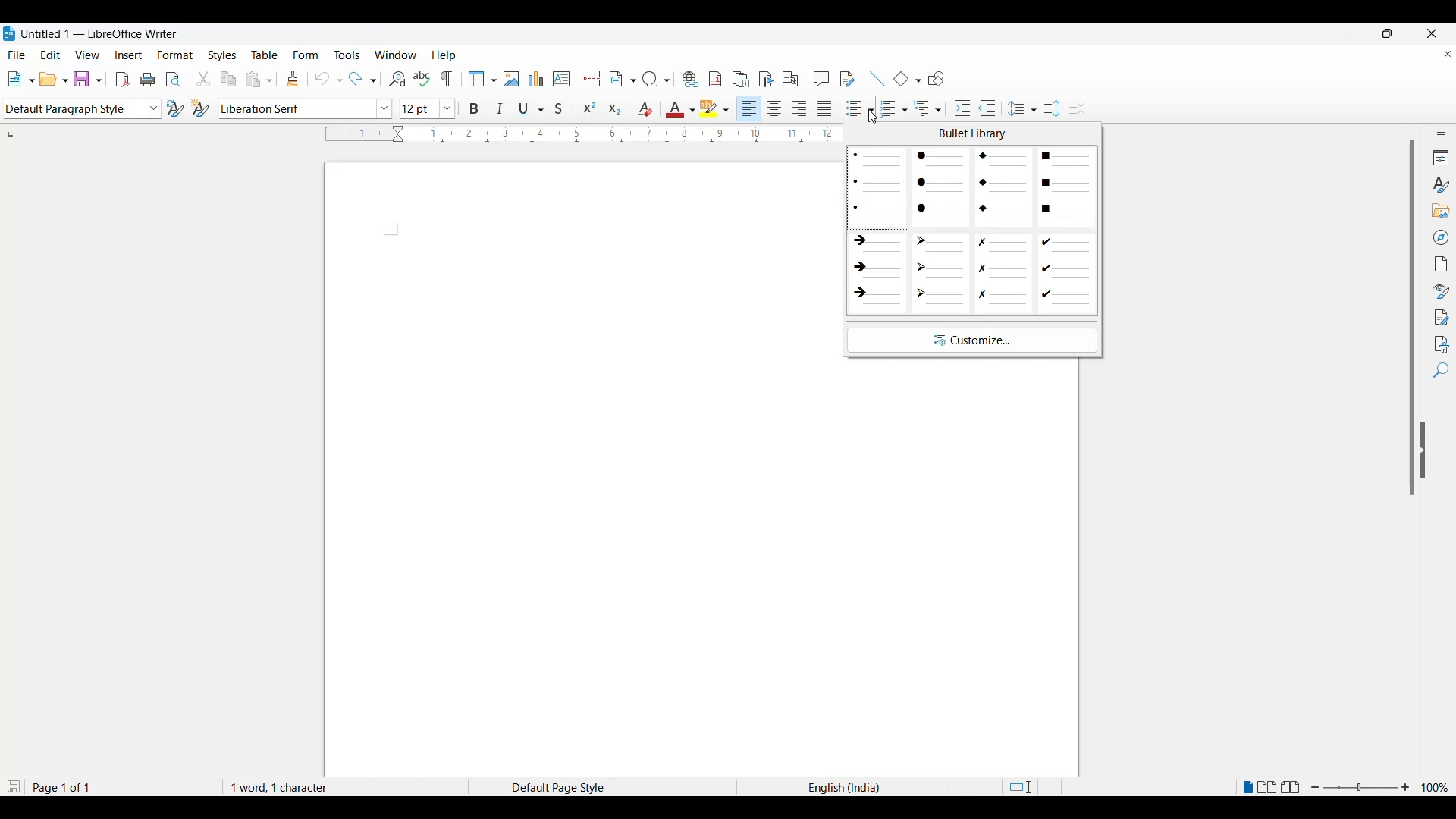 The width and height of the screenshot is (1456, 819). I want to click on Help, so click(444, 53).